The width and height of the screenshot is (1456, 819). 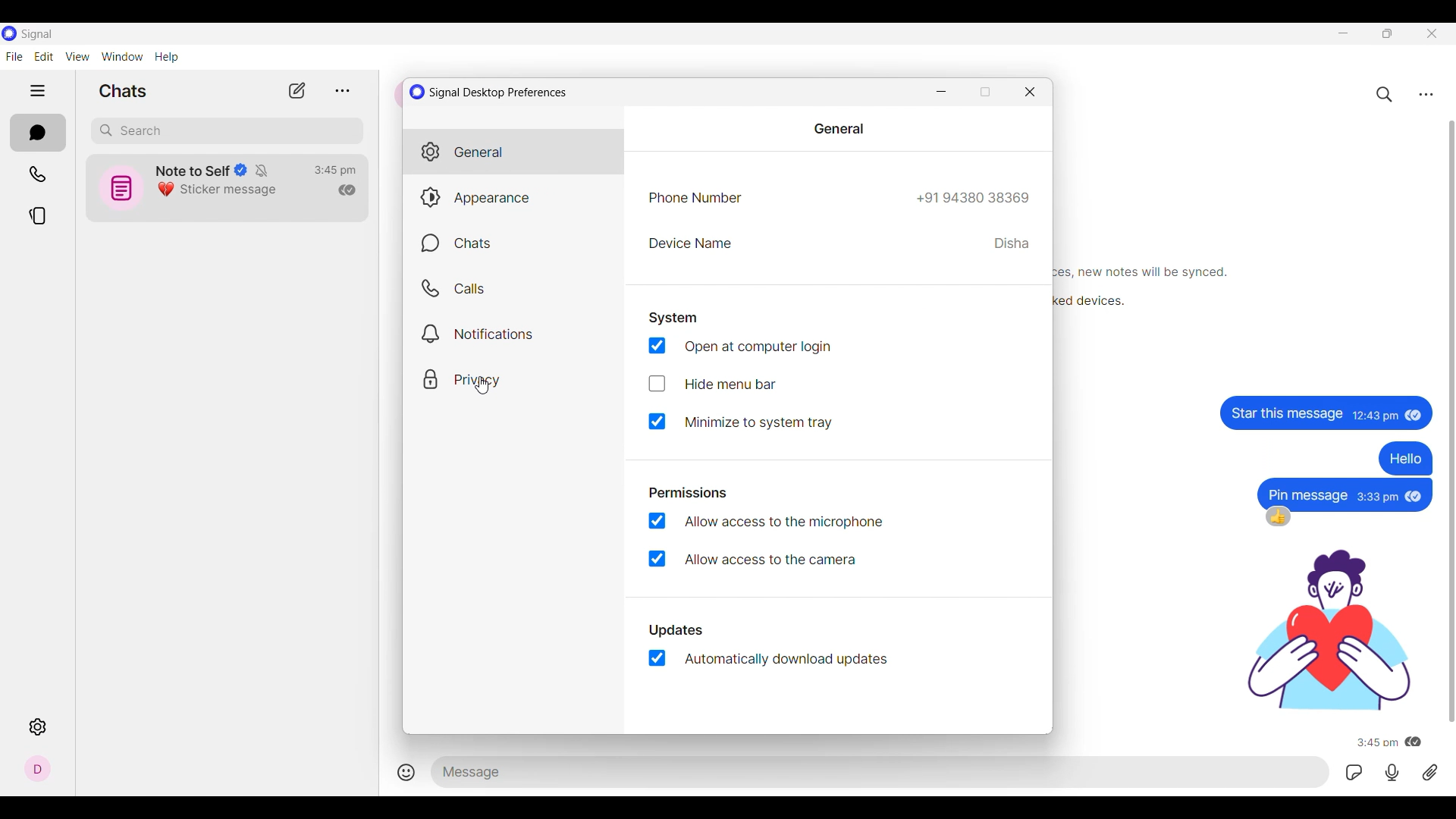 I want to click on Time of  message, so click(x=1375, y=418).